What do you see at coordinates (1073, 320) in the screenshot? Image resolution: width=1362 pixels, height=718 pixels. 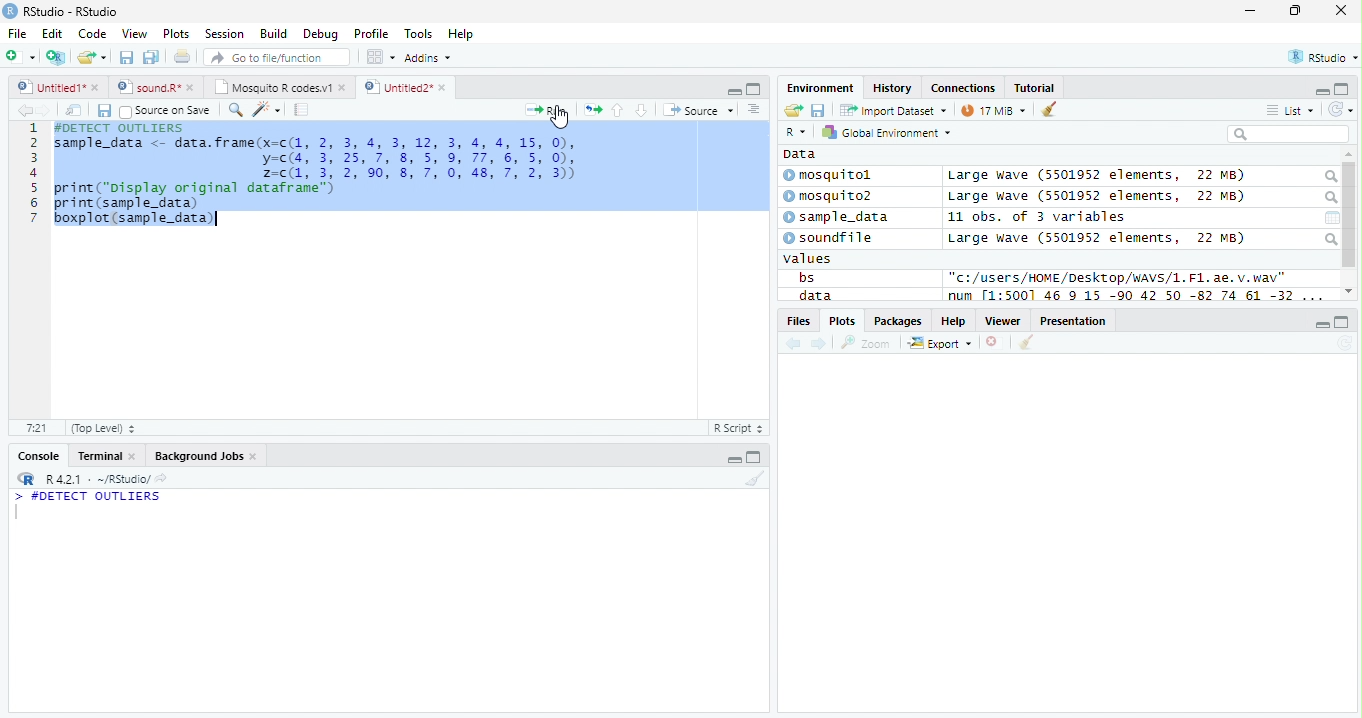 I see `Presentation` at bounding box center [1073, 320].